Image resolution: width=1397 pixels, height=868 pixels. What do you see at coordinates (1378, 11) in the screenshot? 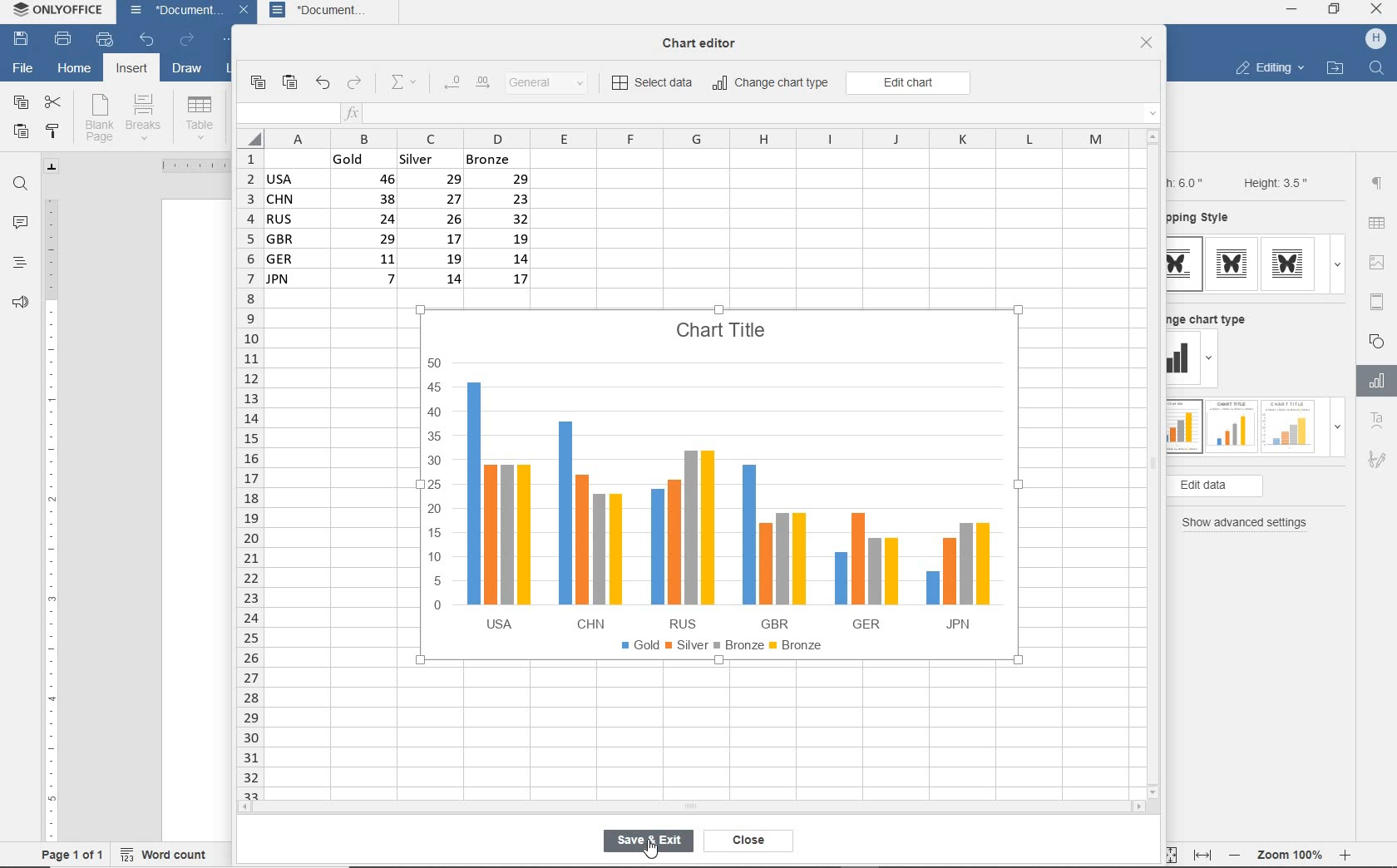
I see `close` at bounding box center [1378, 11].